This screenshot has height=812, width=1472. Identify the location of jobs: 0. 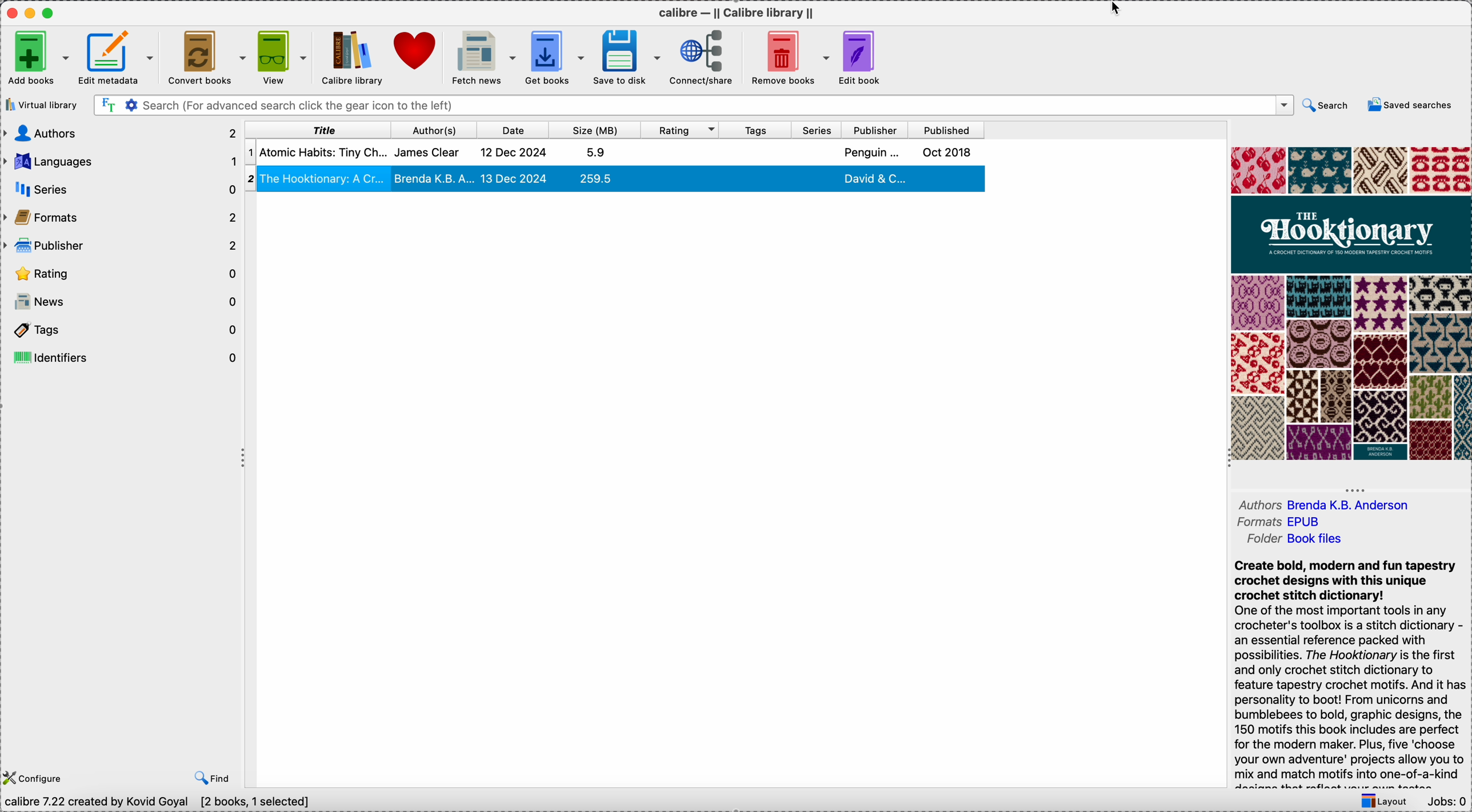
(1446, 800).